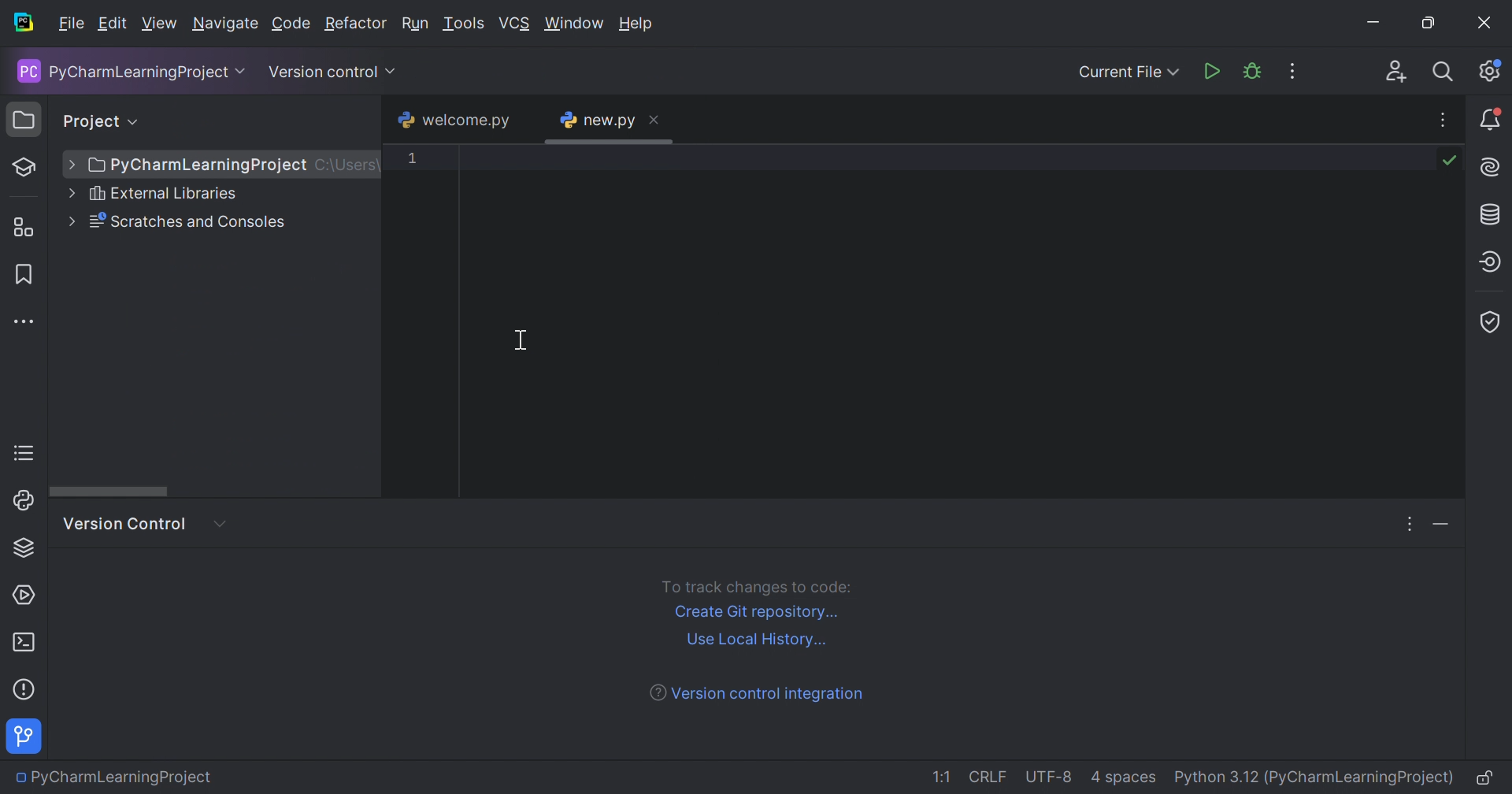  I want to click on Run 'new.py', so click(1210, 74).